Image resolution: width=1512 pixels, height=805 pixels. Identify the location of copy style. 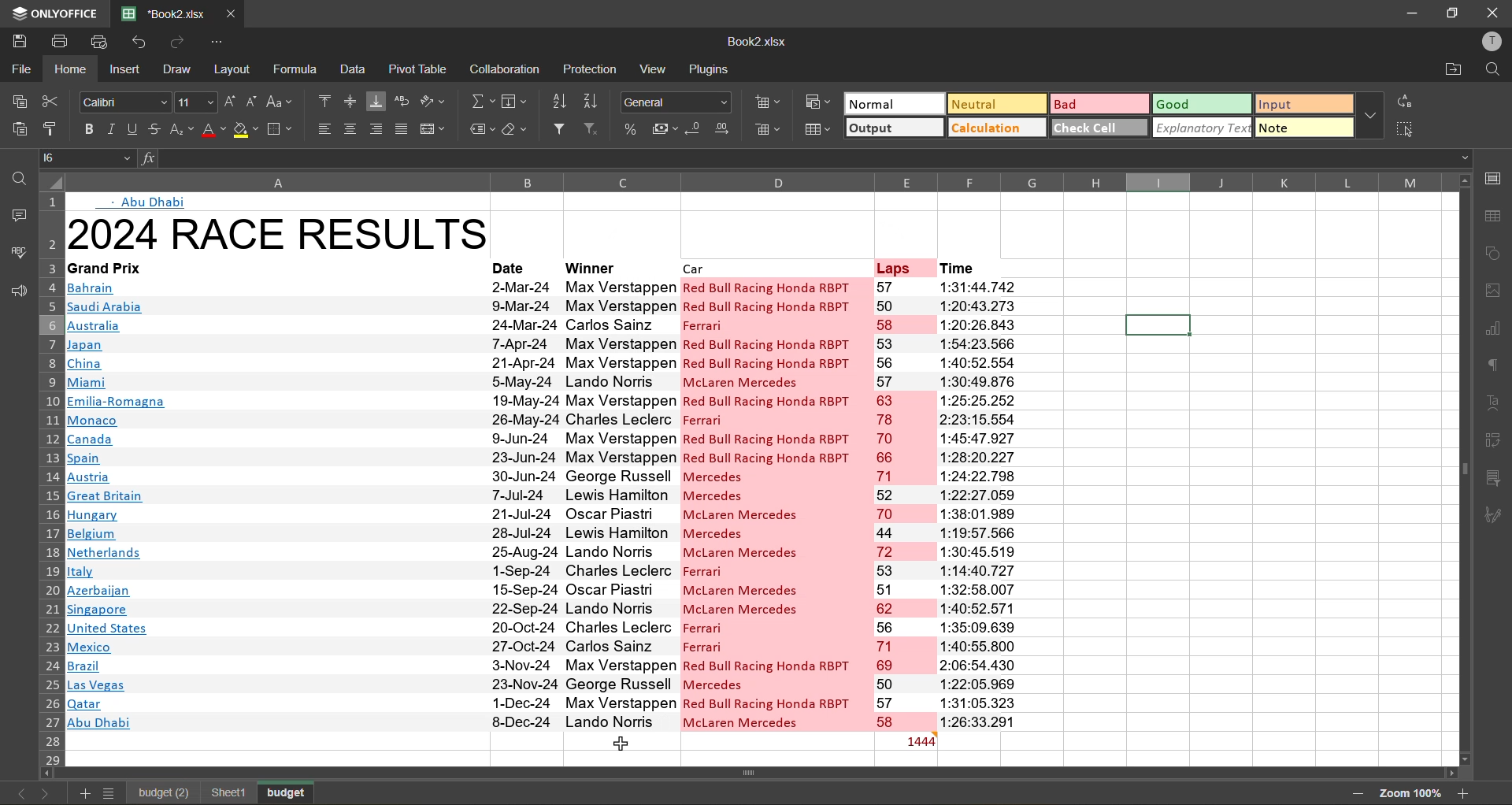
(53, 128).